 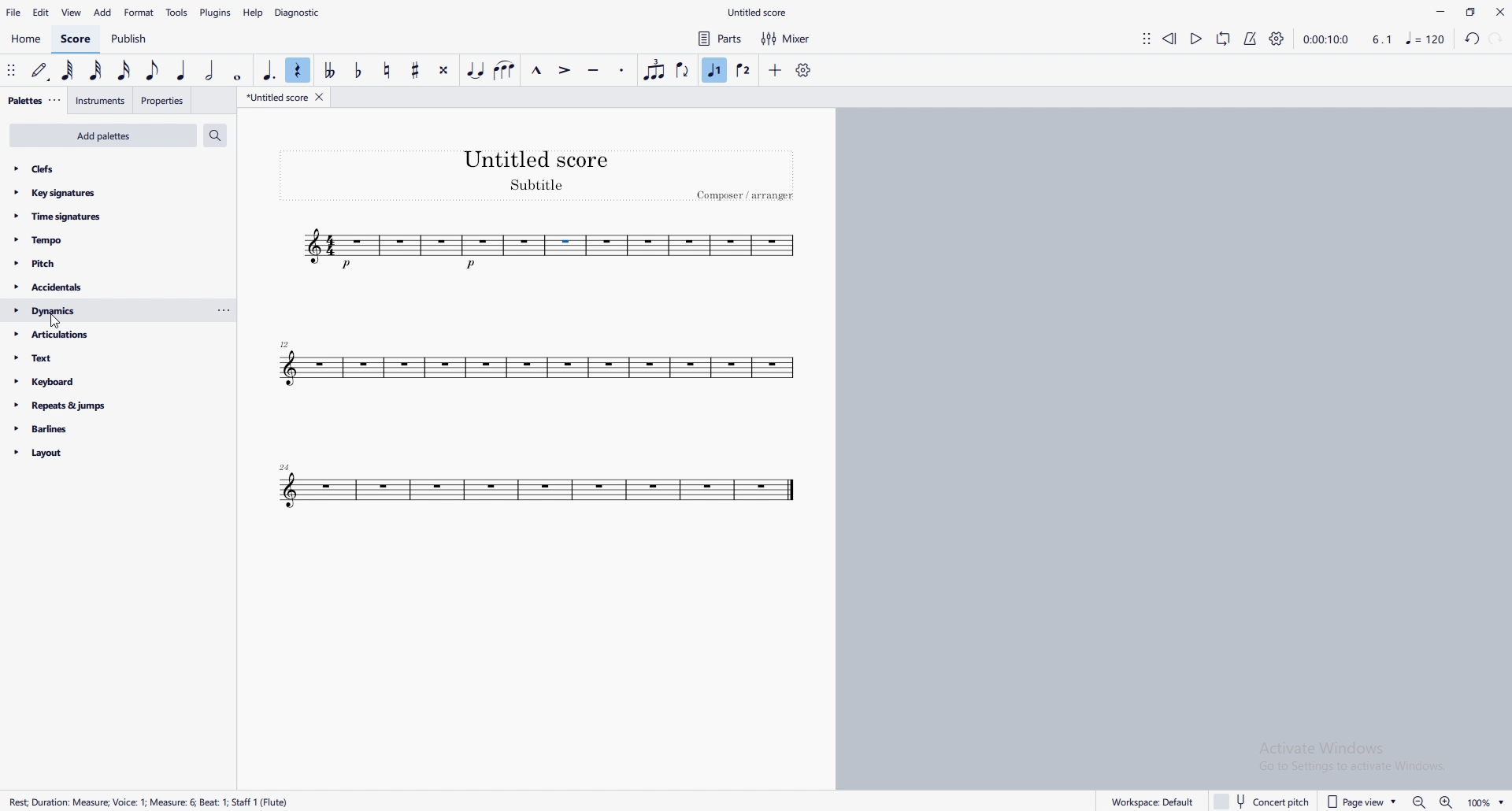 What do you see at coordinates (214, 135) in the screenshot?
I see `search` at bounding box center [214, 135].